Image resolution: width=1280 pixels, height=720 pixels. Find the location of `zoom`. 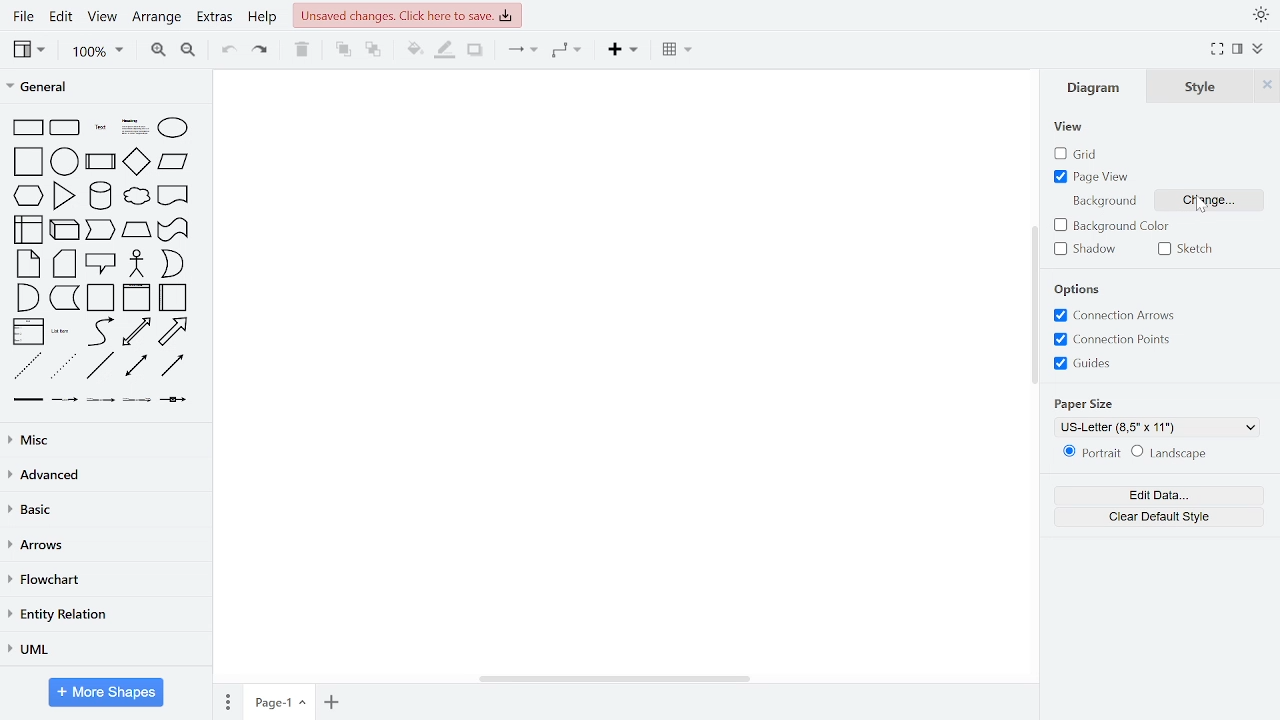

zoom is located at coordinates (98, 53).